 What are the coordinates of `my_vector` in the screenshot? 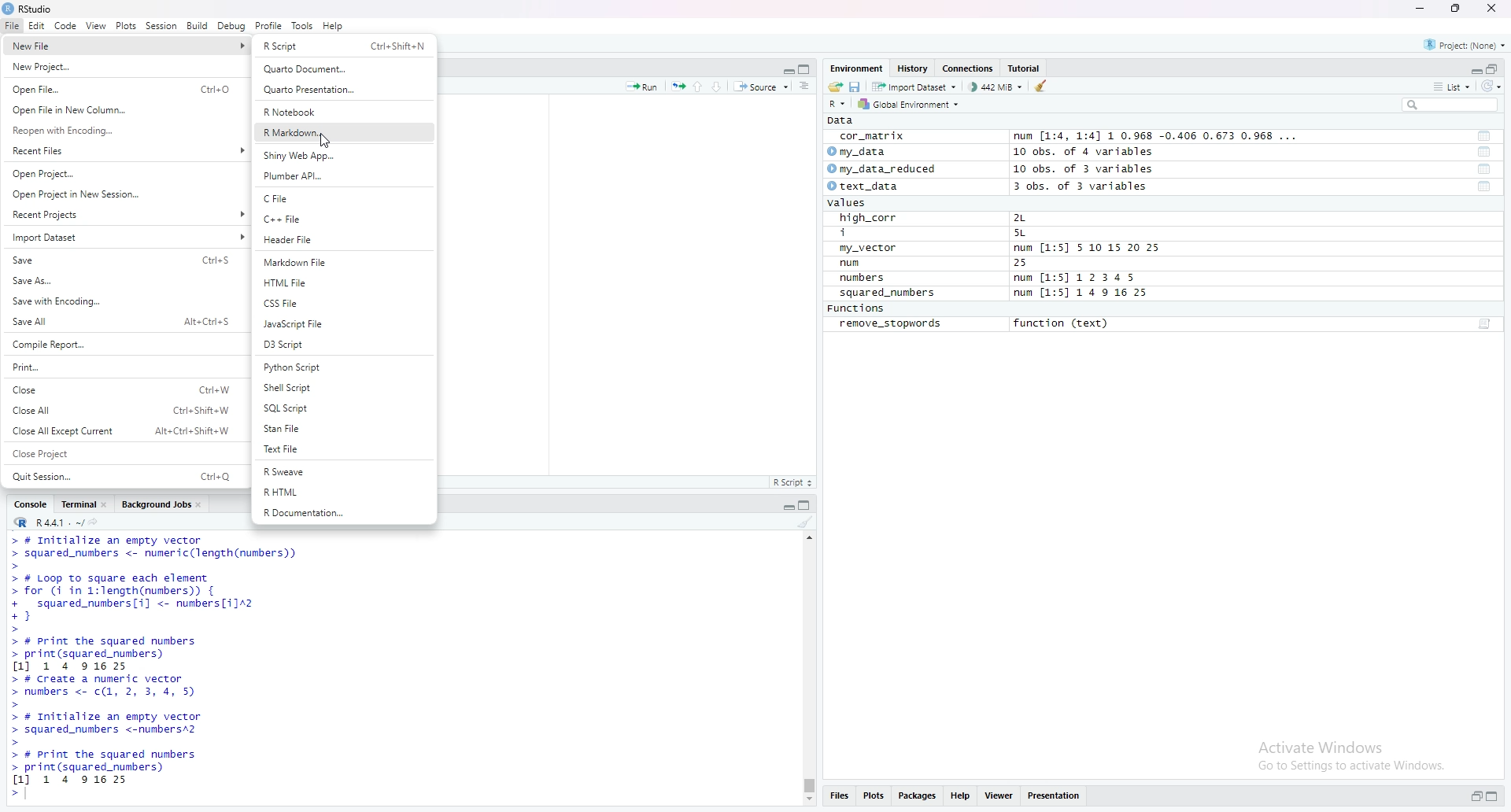 It's located at (871, 248).